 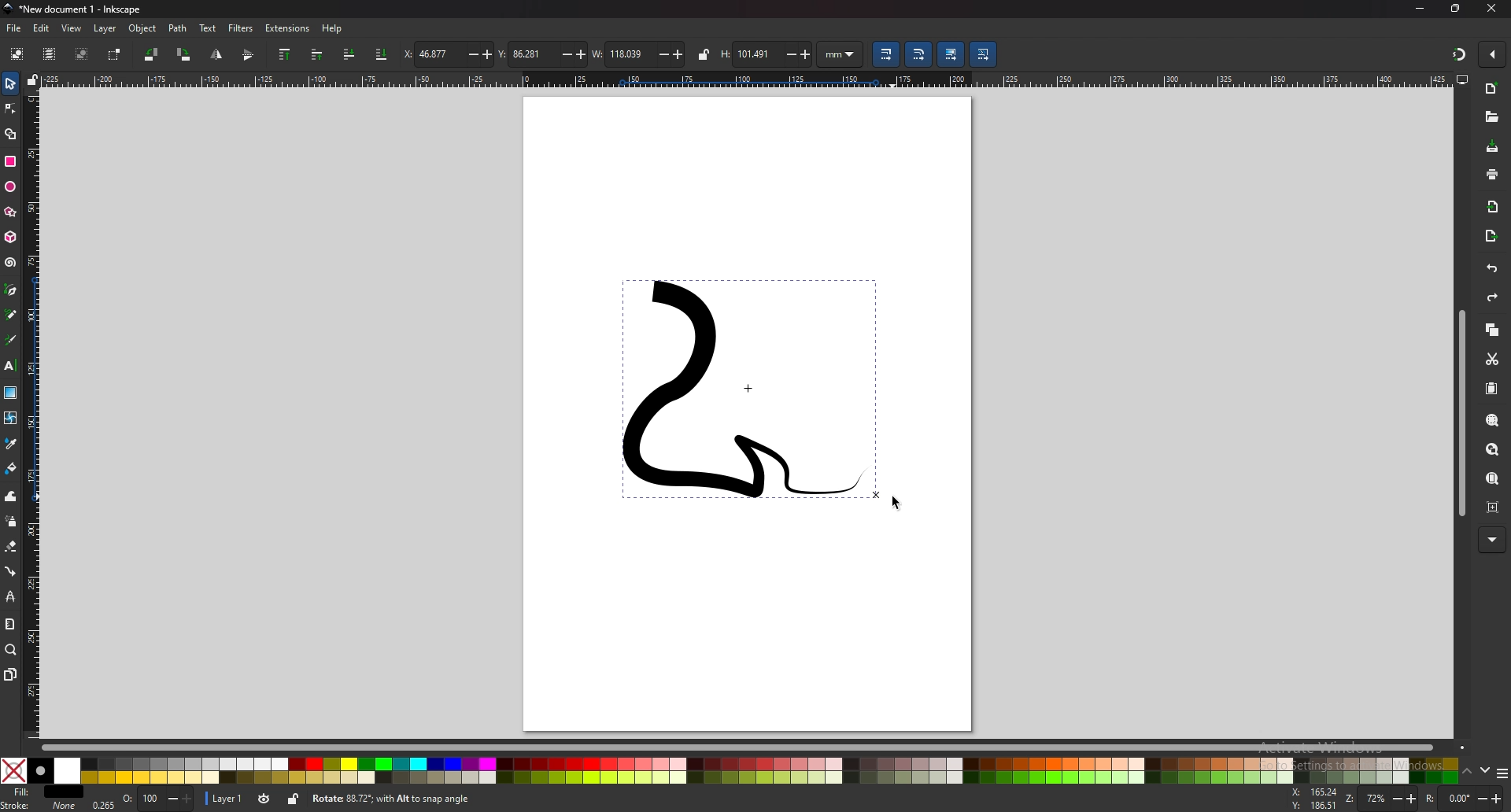 I want to click on lock, so click(x=703, y=54).